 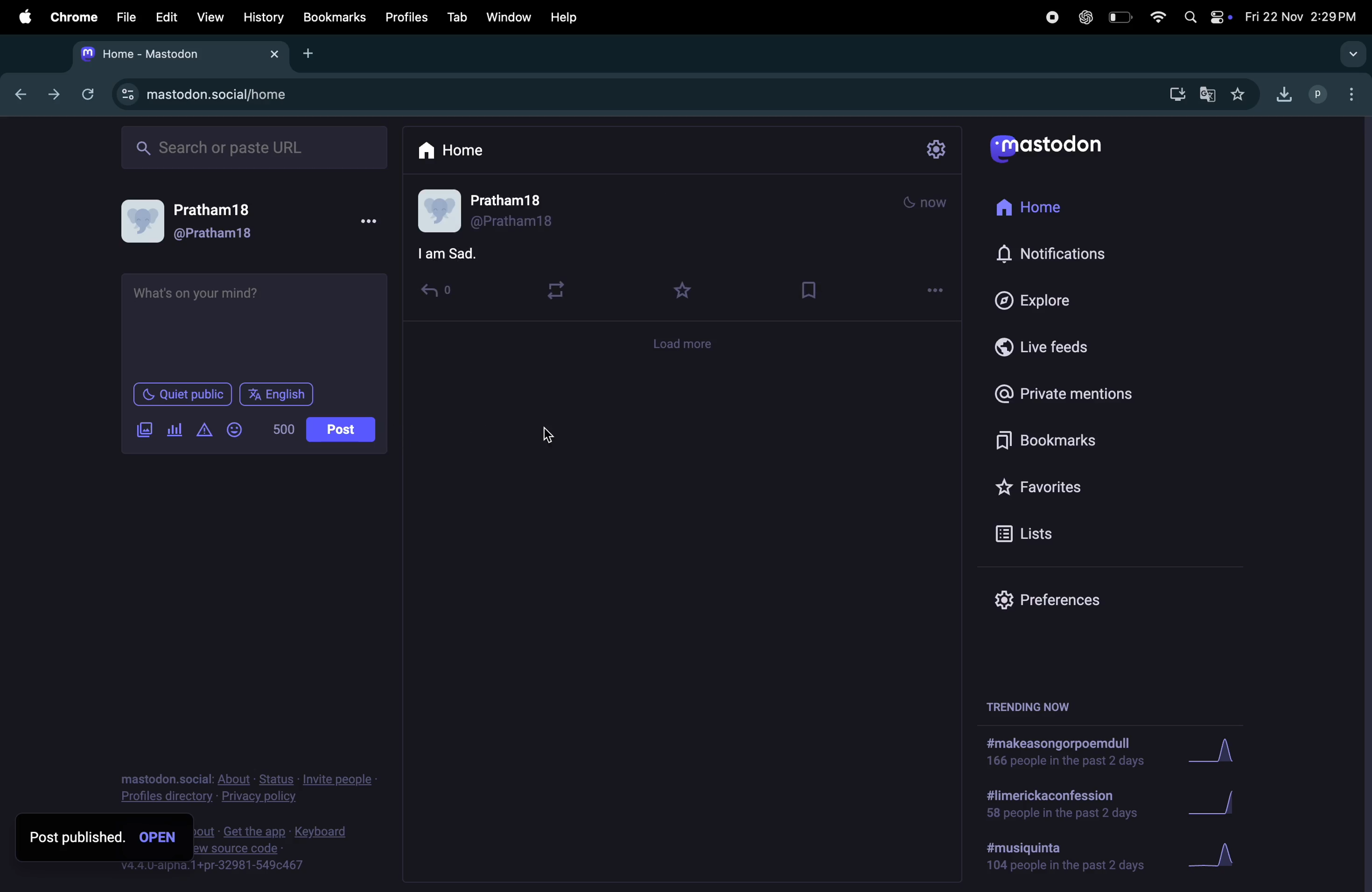 What do you see at coordinates (341, 429) in the screenshot?
I see `post` at bounding box center [341, 429].